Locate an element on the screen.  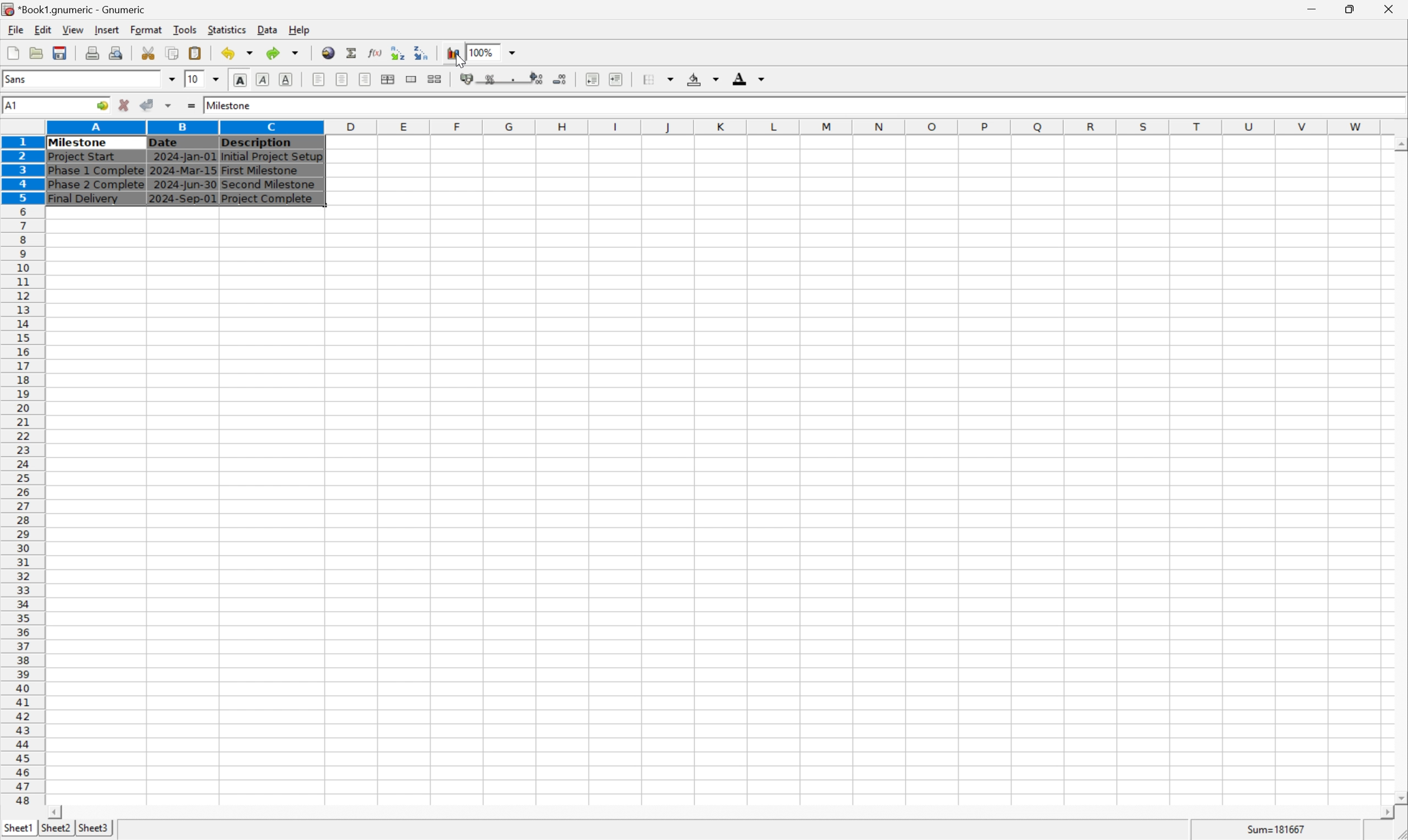
data is located at coordinates (267, 27).